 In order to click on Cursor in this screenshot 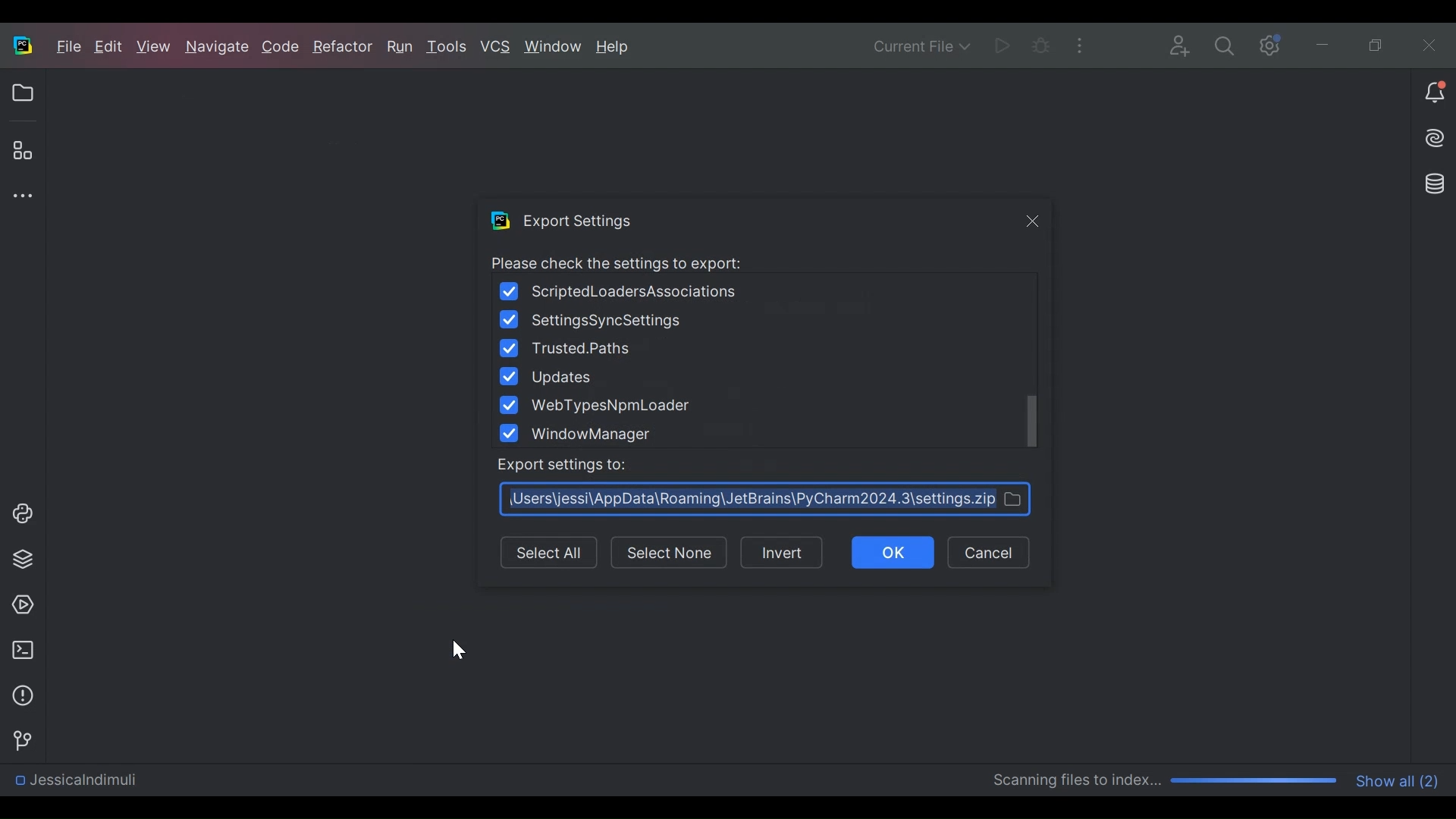, I will do `click(456, 649)`.